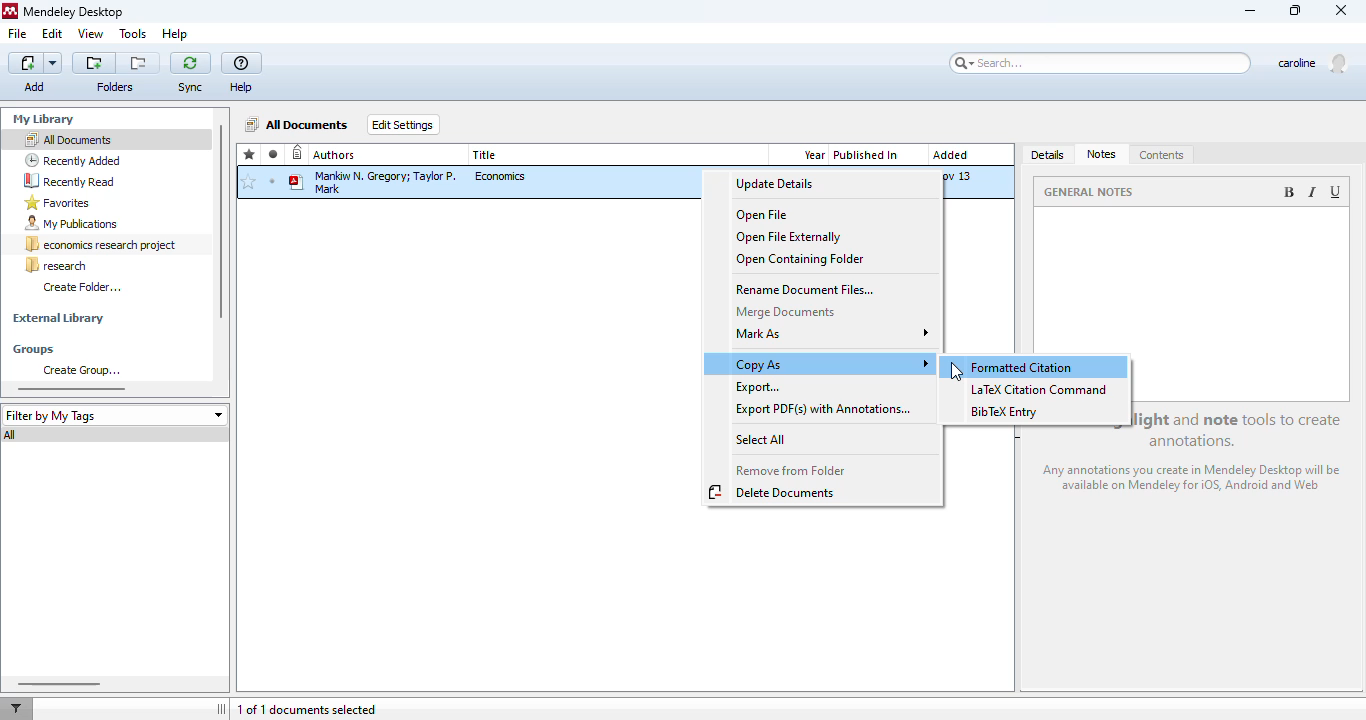 Image resolution: width=1366 pixels, height=720 pixels. Describe the element at coordinates (759, 388) in the screenshot. I see `export` at that location.